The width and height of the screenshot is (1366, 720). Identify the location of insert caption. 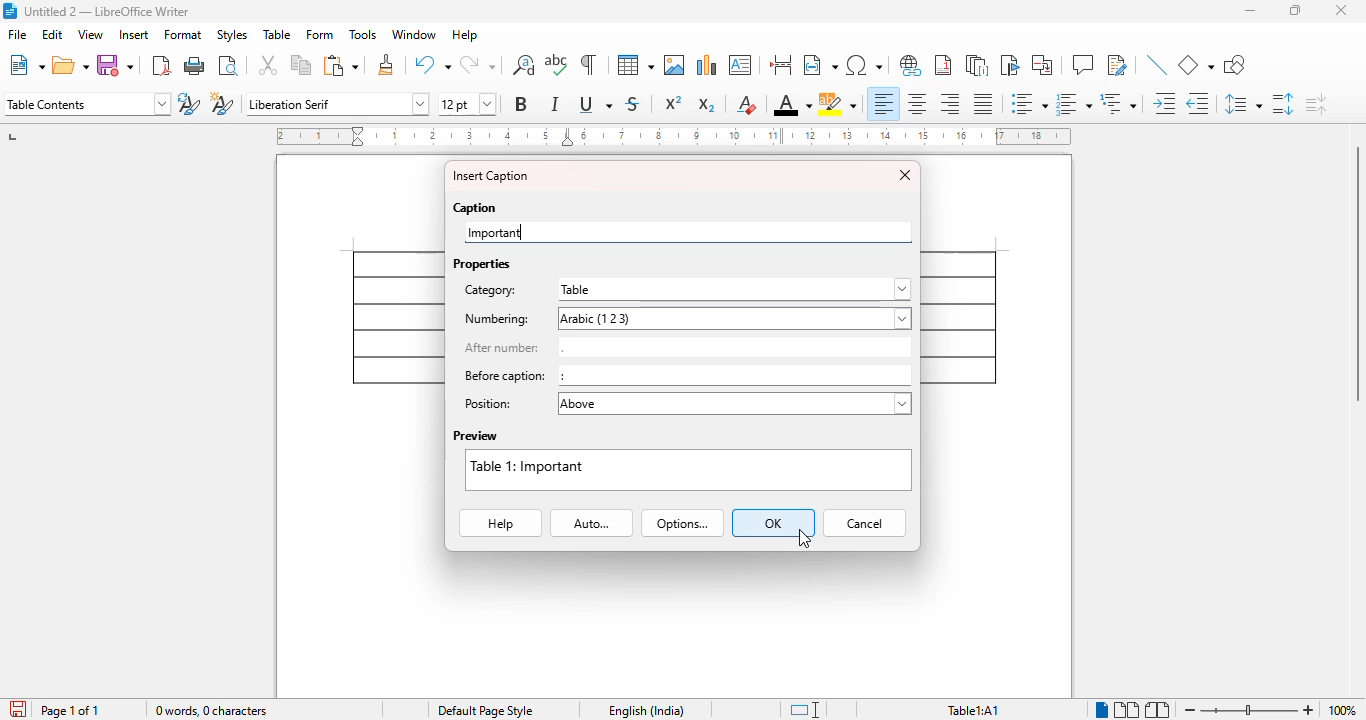
(490, 176).